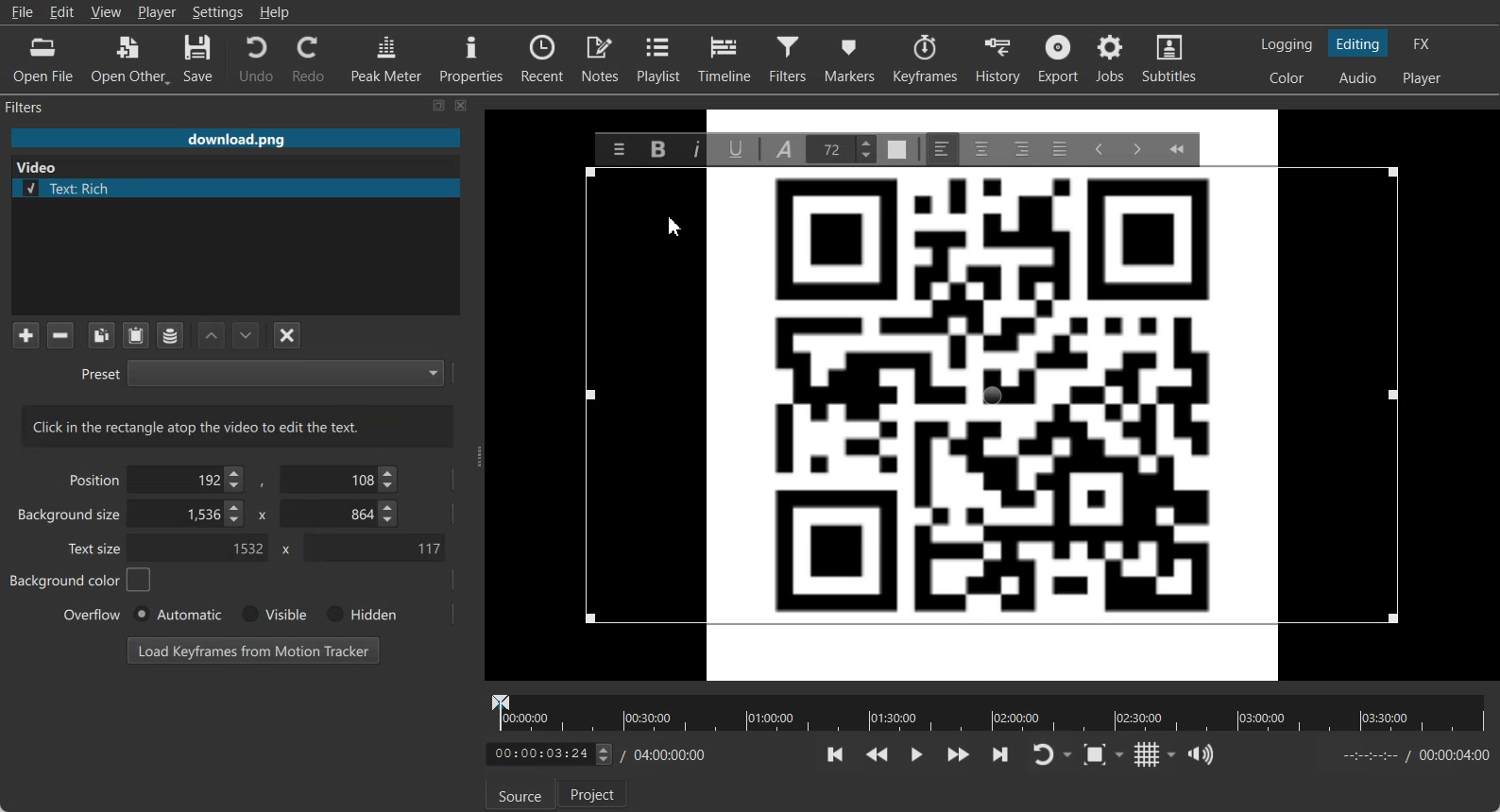 This screenshot has height=812, width=1500. What do you see at coordinates (1358, 44) in the screenshot?
I see `Switching to the Editing layout` at bounding box center [1358, 44].